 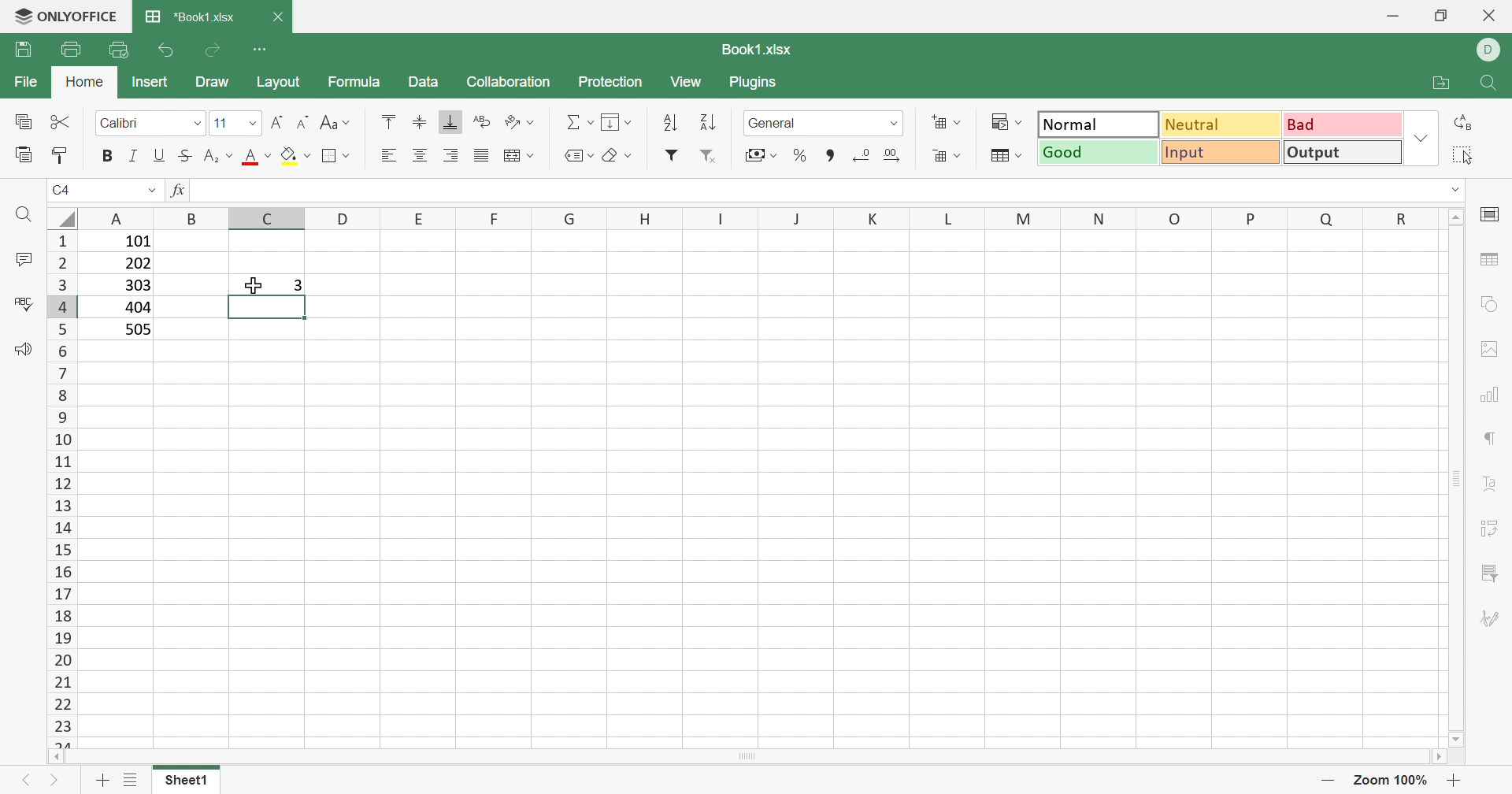 What do you see at coordinates (1388, 779) in the screenshot?
I see `Zoom 100%` at bounding box center [1388, 779].